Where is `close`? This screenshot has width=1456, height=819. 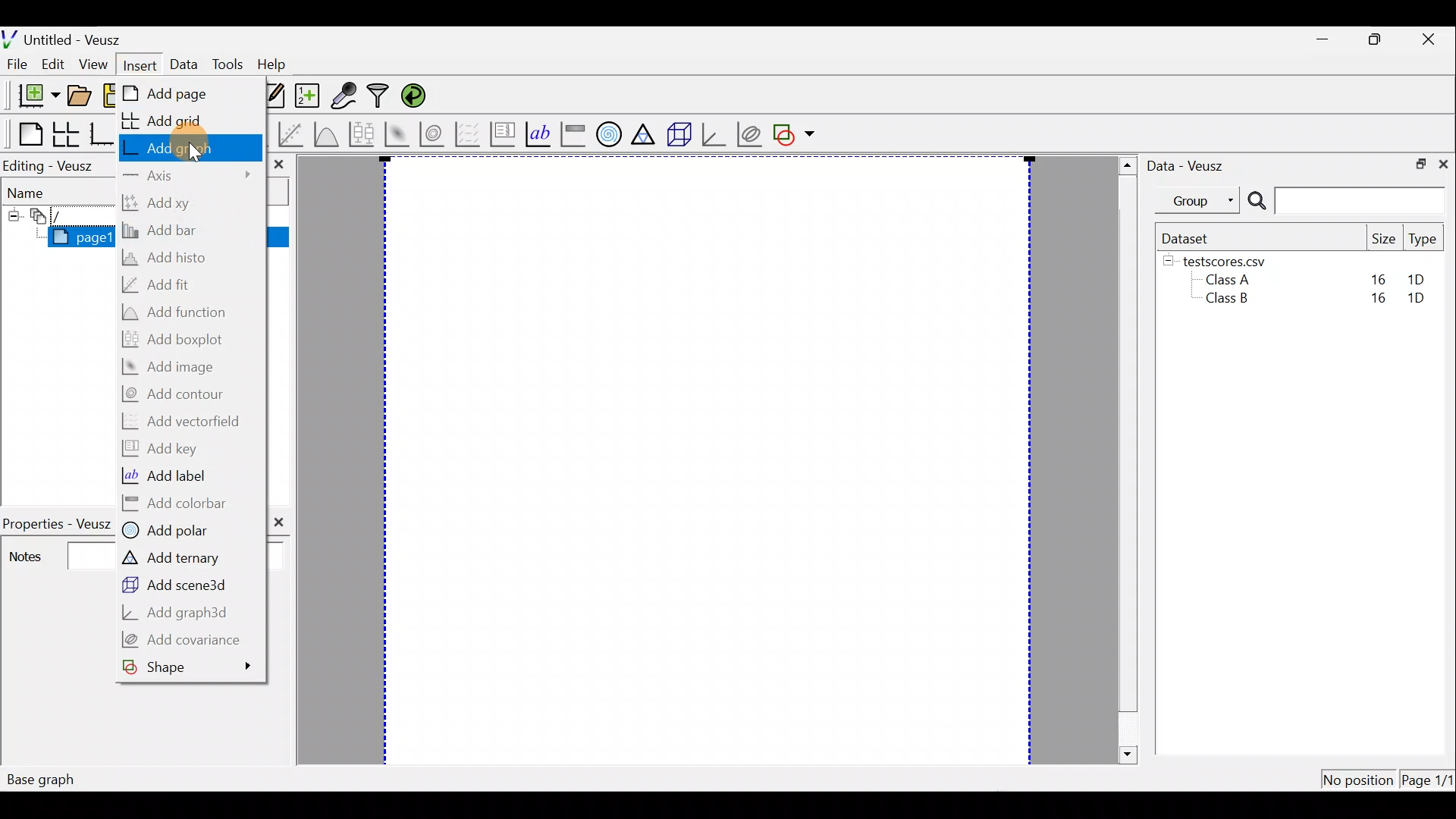
close is located at coordinates (281, 522).